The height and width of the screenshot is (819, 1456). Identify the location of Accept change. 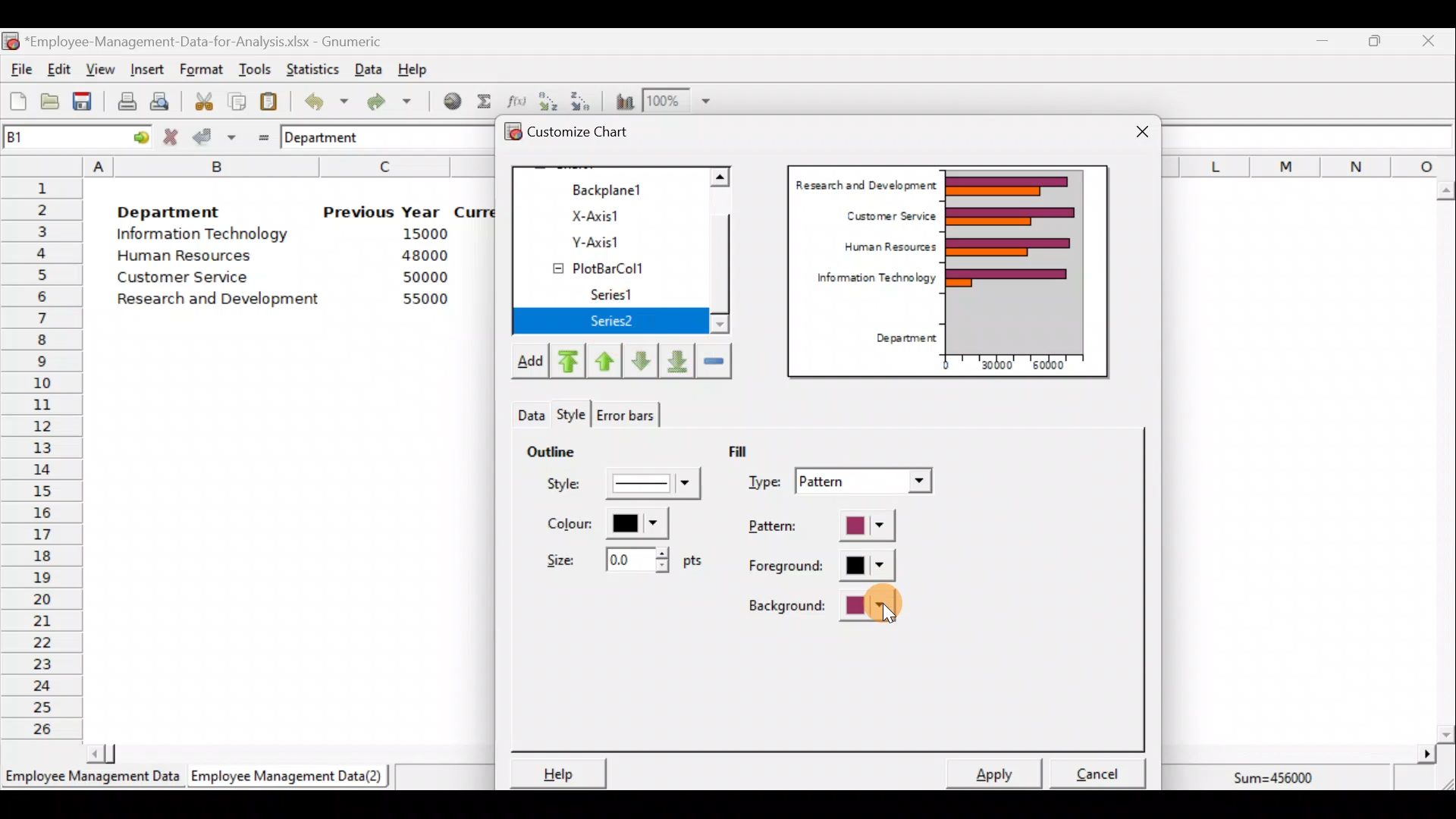
(215, 136).